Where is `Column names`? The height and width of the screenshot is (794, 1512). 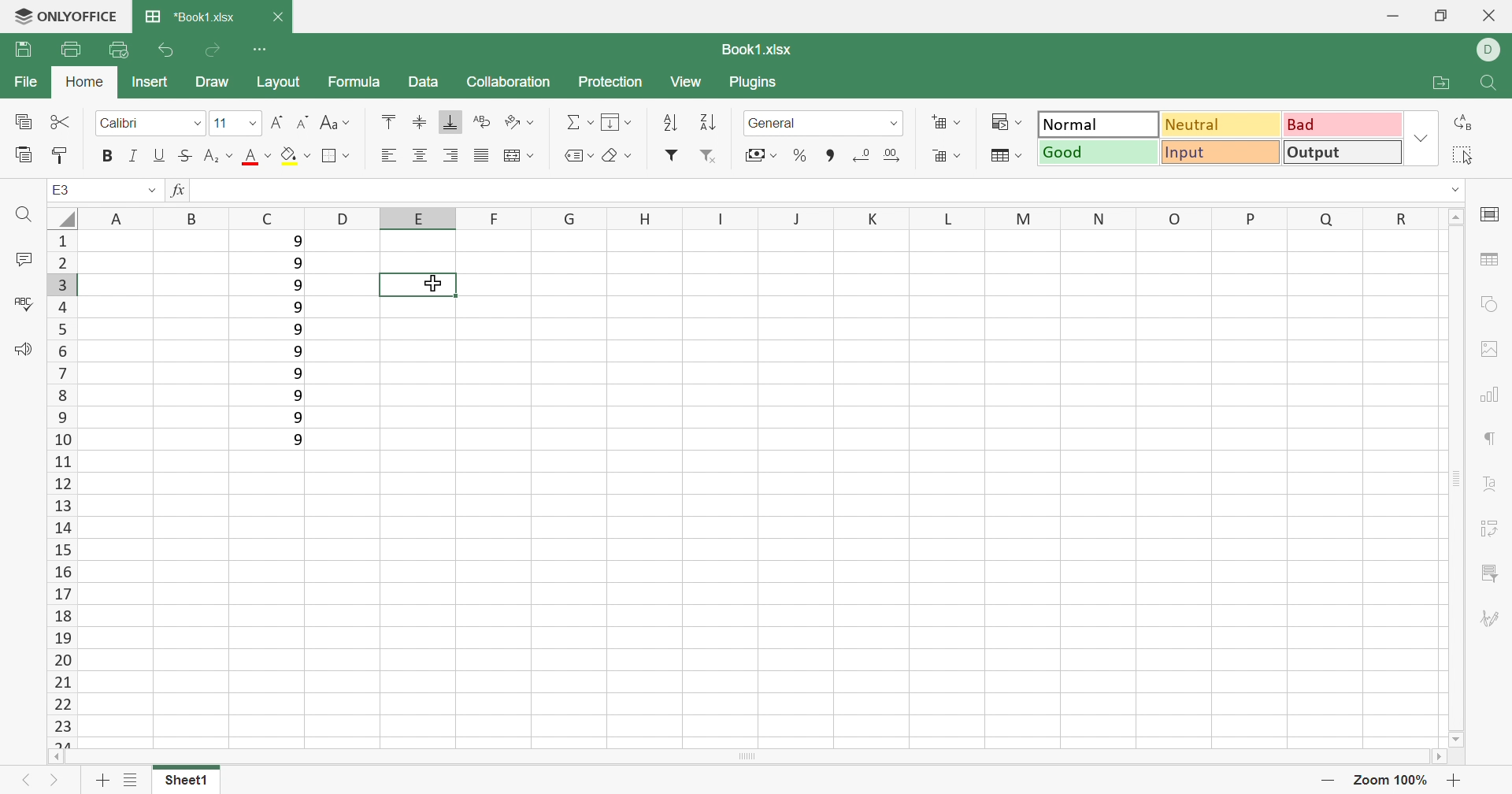 Column names is located at coordinates (732, 217).